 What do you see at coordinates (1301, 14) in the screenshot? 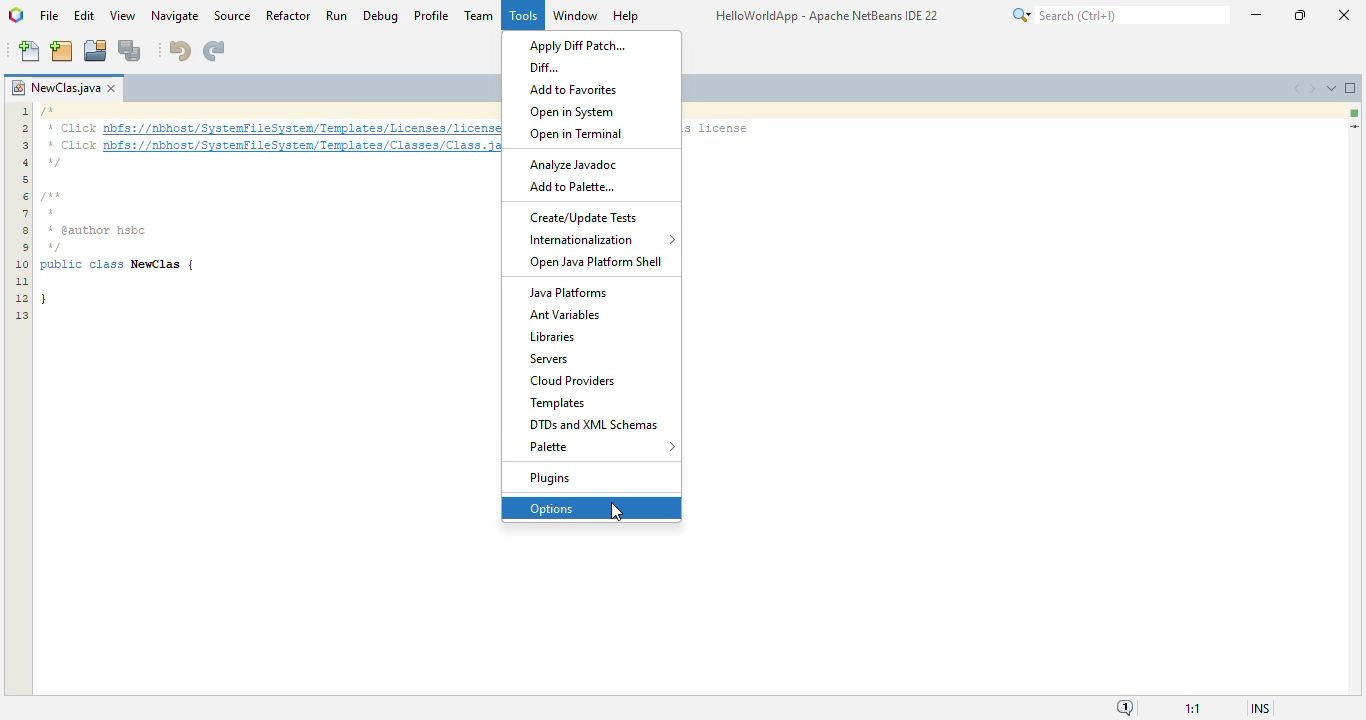
I see `maximize` at bounding box center [1301, 14].